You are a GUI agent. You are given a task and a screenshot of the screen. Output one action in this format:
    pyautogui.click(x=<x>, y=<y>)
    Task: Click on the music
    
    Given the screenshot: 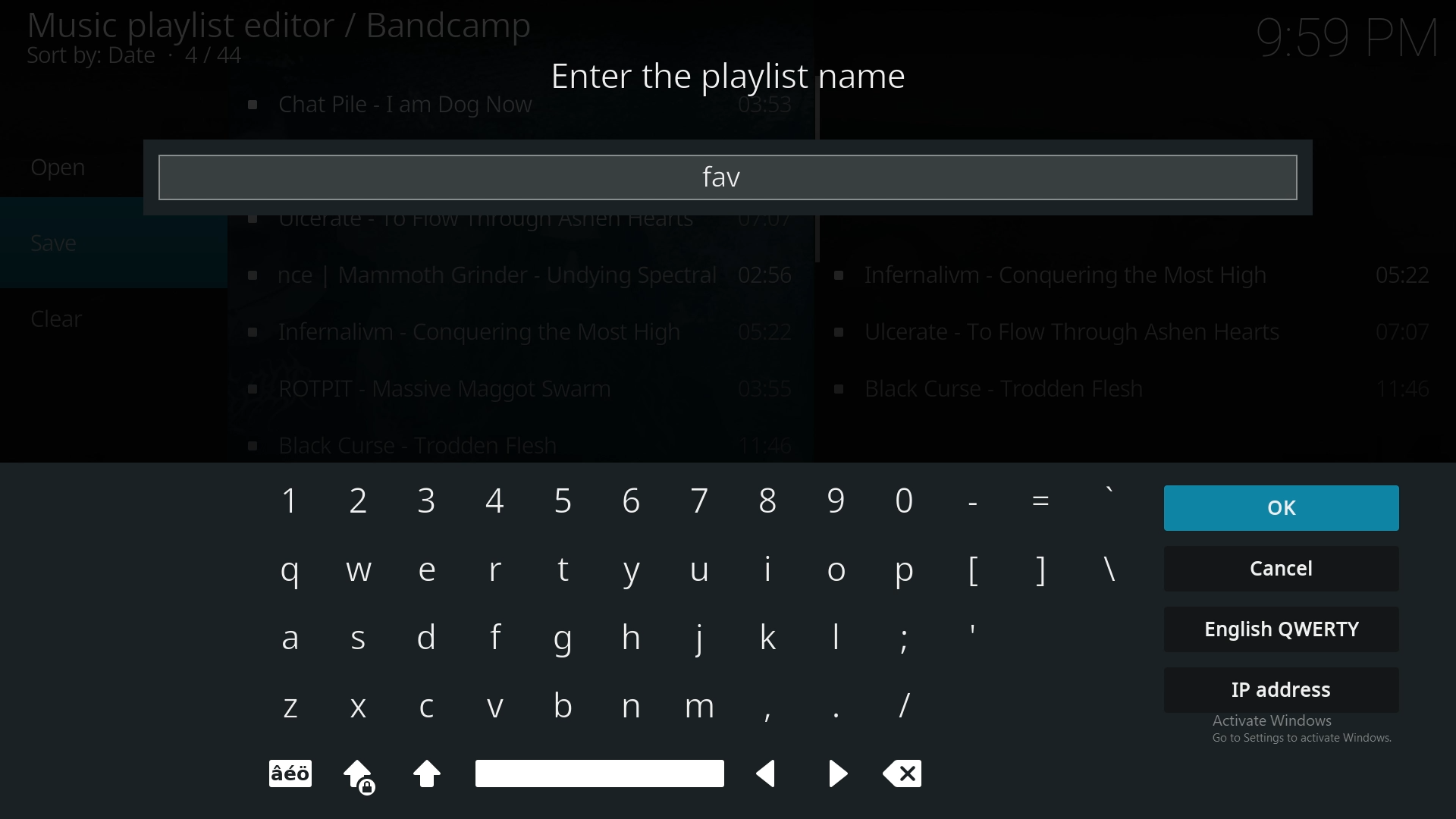 What is the action you would take?
    pyautogui.click(x=516, y=333)
    